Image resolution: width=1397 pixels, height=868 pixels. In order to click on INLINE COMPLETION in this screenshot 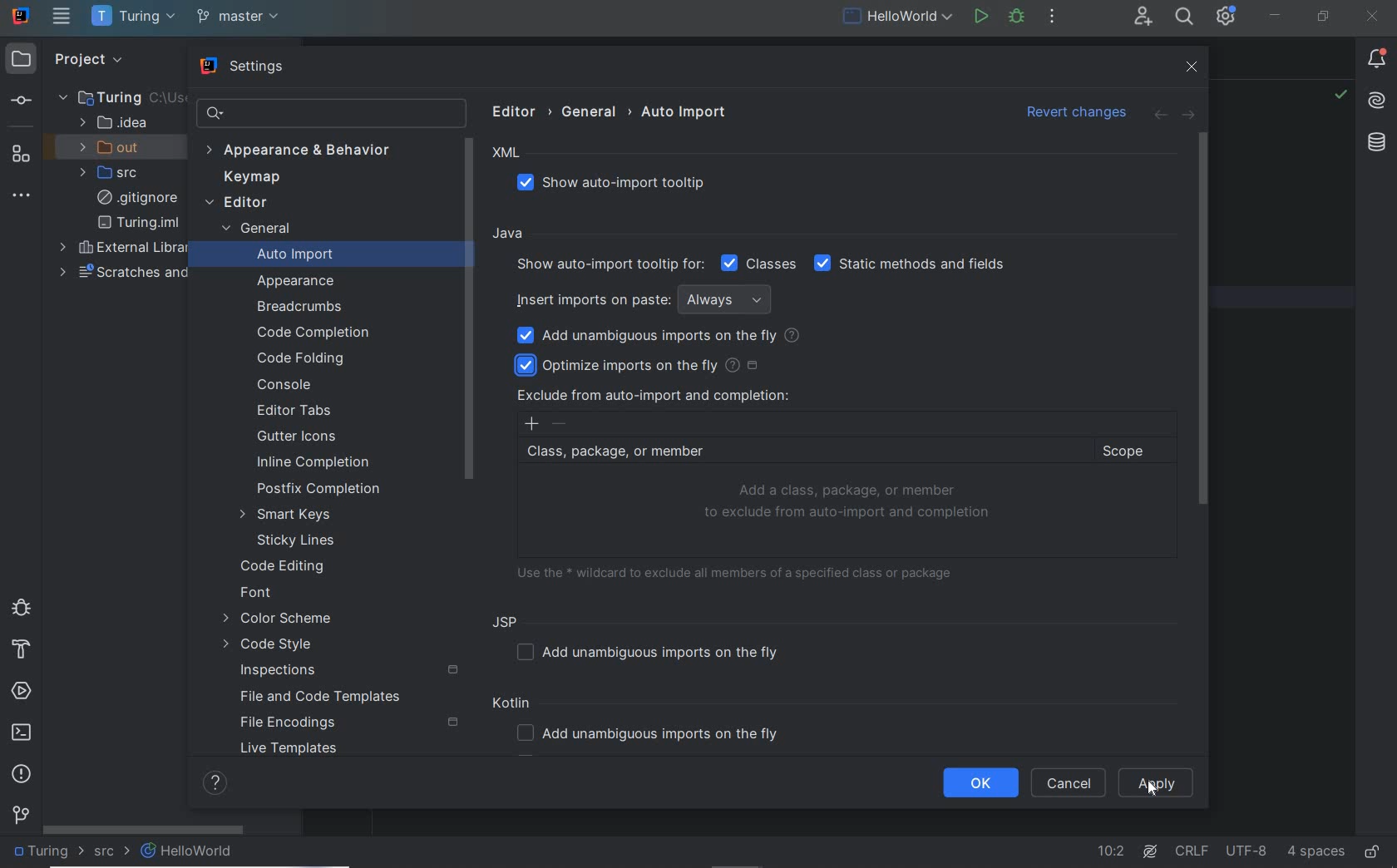, I will do `click(320, 465)`.